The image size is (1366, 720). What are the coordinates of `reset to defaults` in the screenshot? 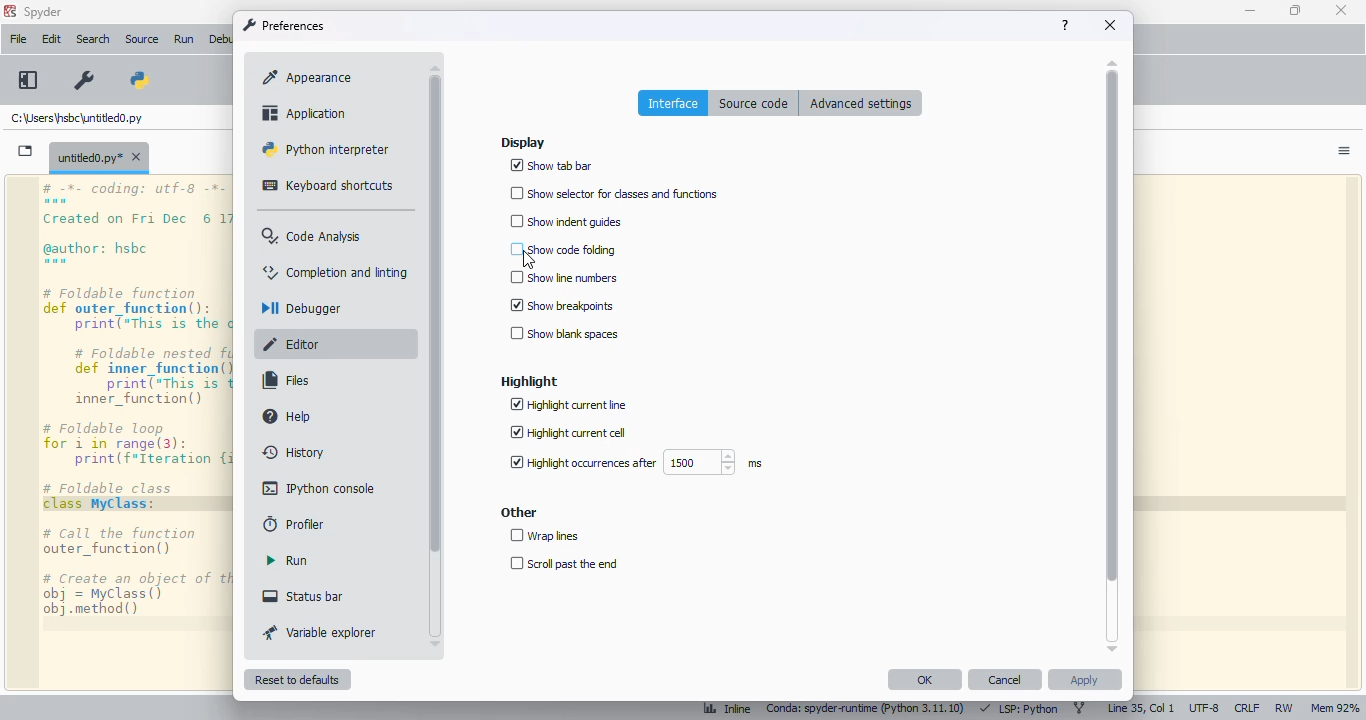 It's located at (298, 679).